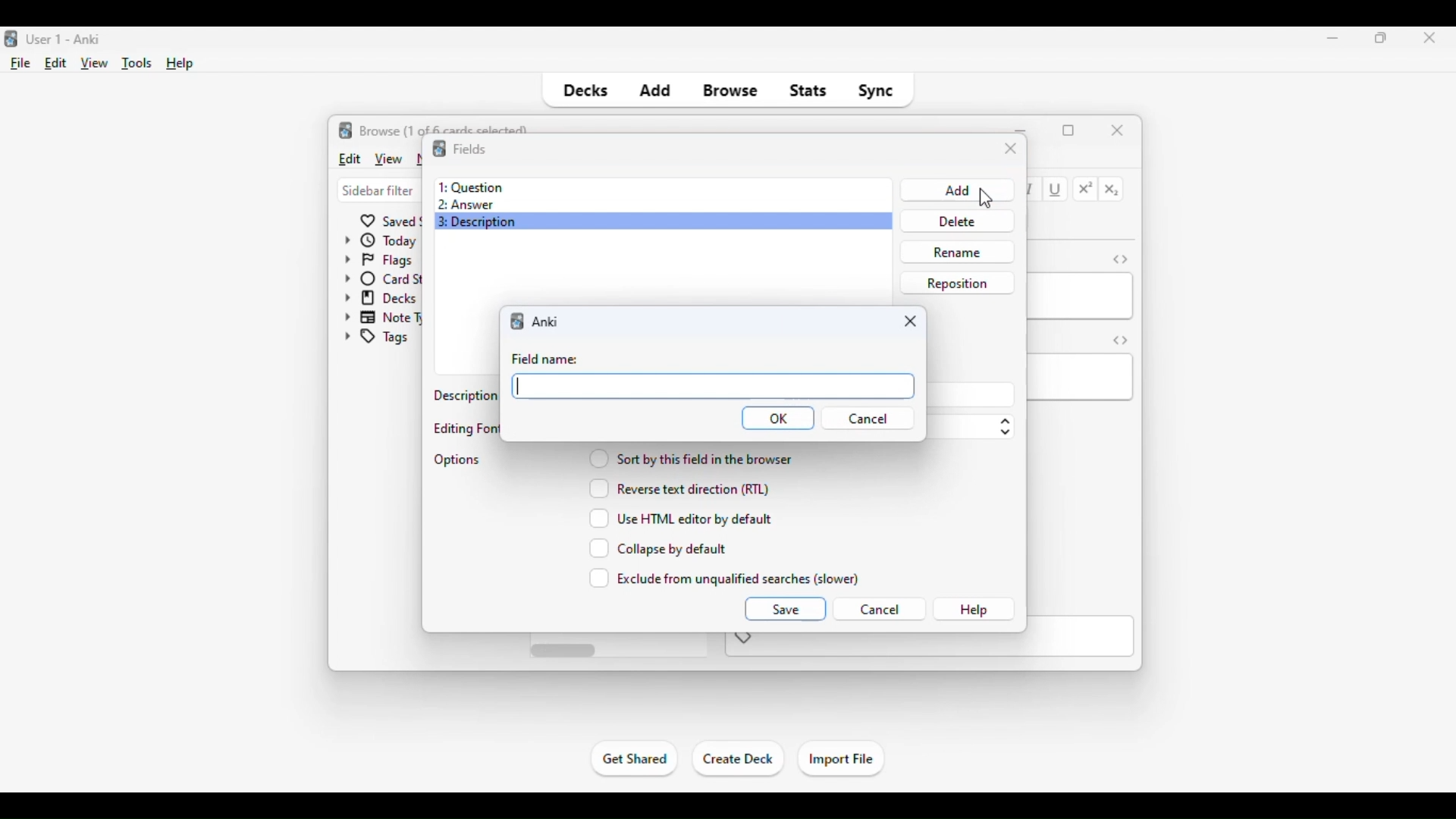  I want to click on superscript, so click(1086, 189).